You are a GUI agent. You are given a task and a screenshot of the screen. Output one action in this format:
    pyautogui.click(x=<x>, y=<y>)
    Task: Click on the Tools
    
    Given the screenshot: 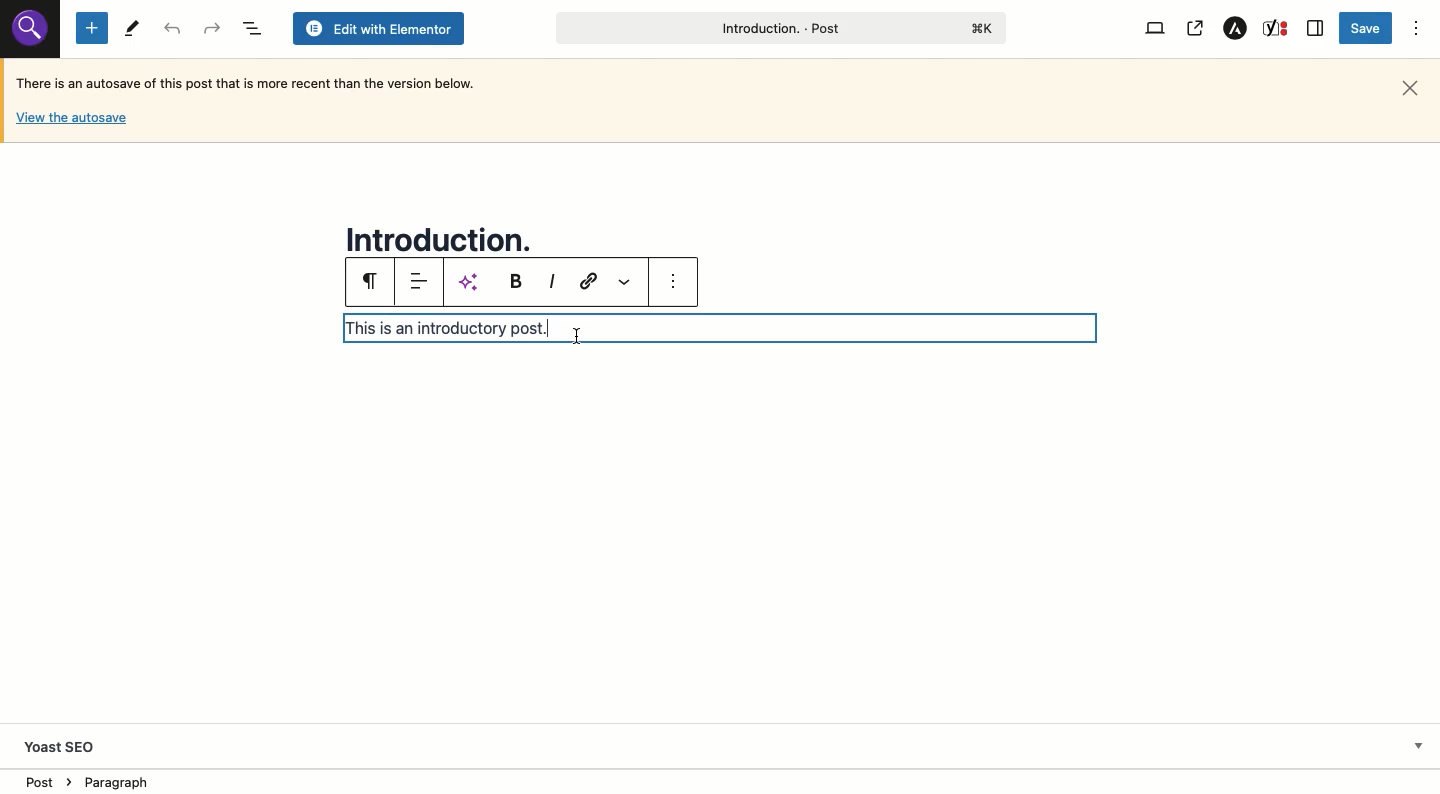 What is the action you would take?
    pyautogui.click(x=131, y=29)
    